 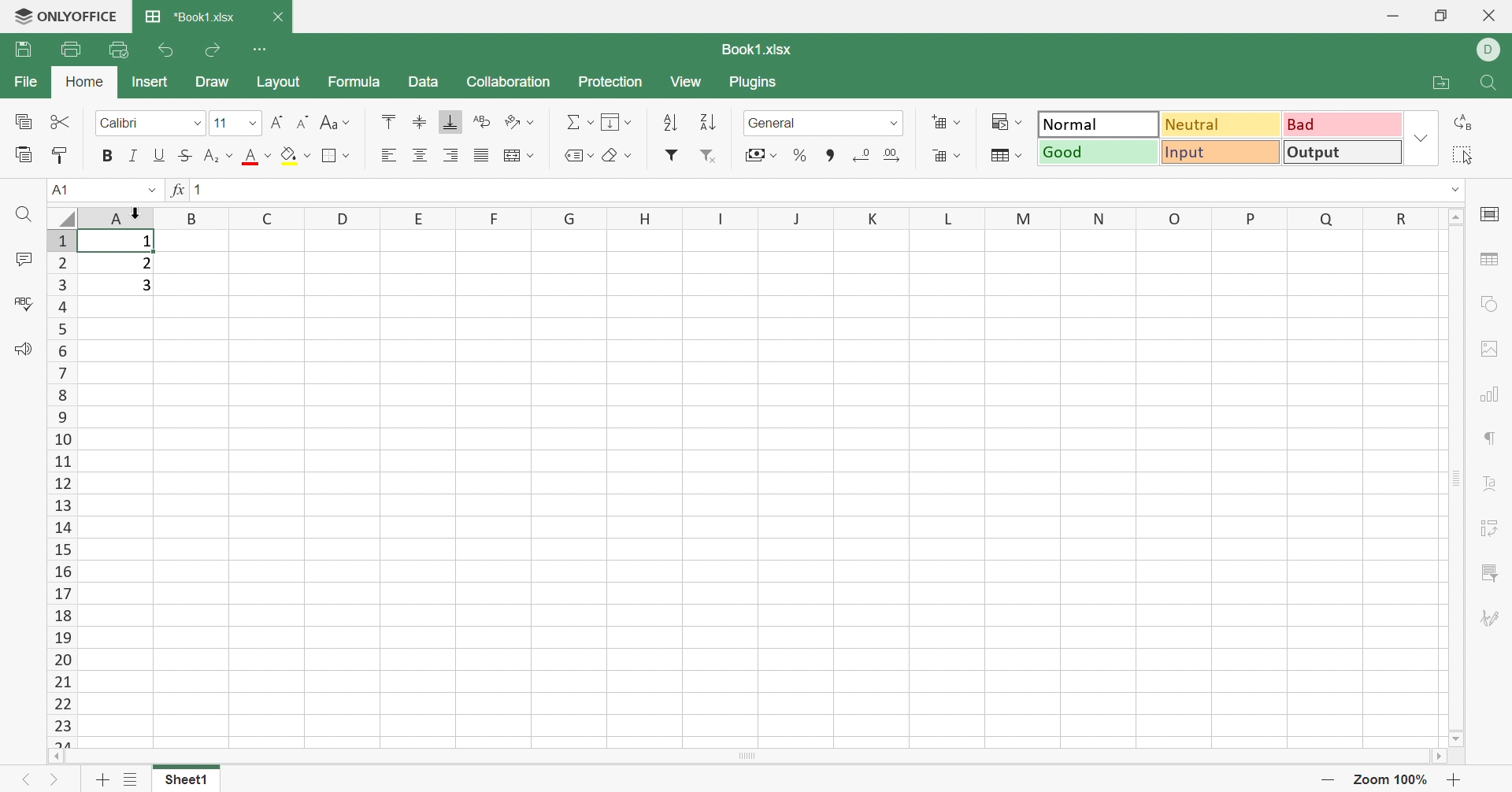 I want to click on Align left, so click(x=387, y=156).